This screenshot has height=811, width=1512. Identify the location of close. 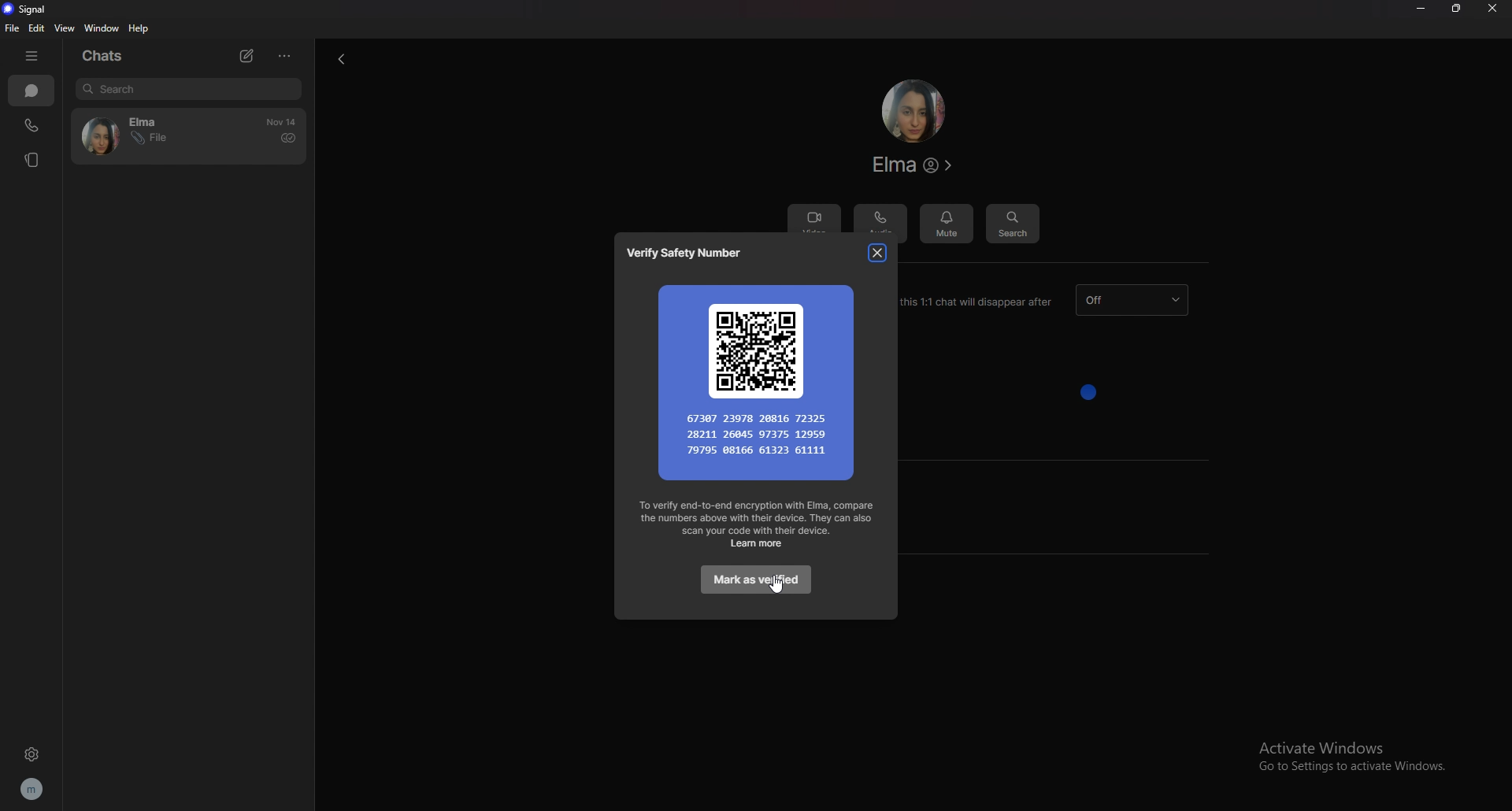
(877, 252).